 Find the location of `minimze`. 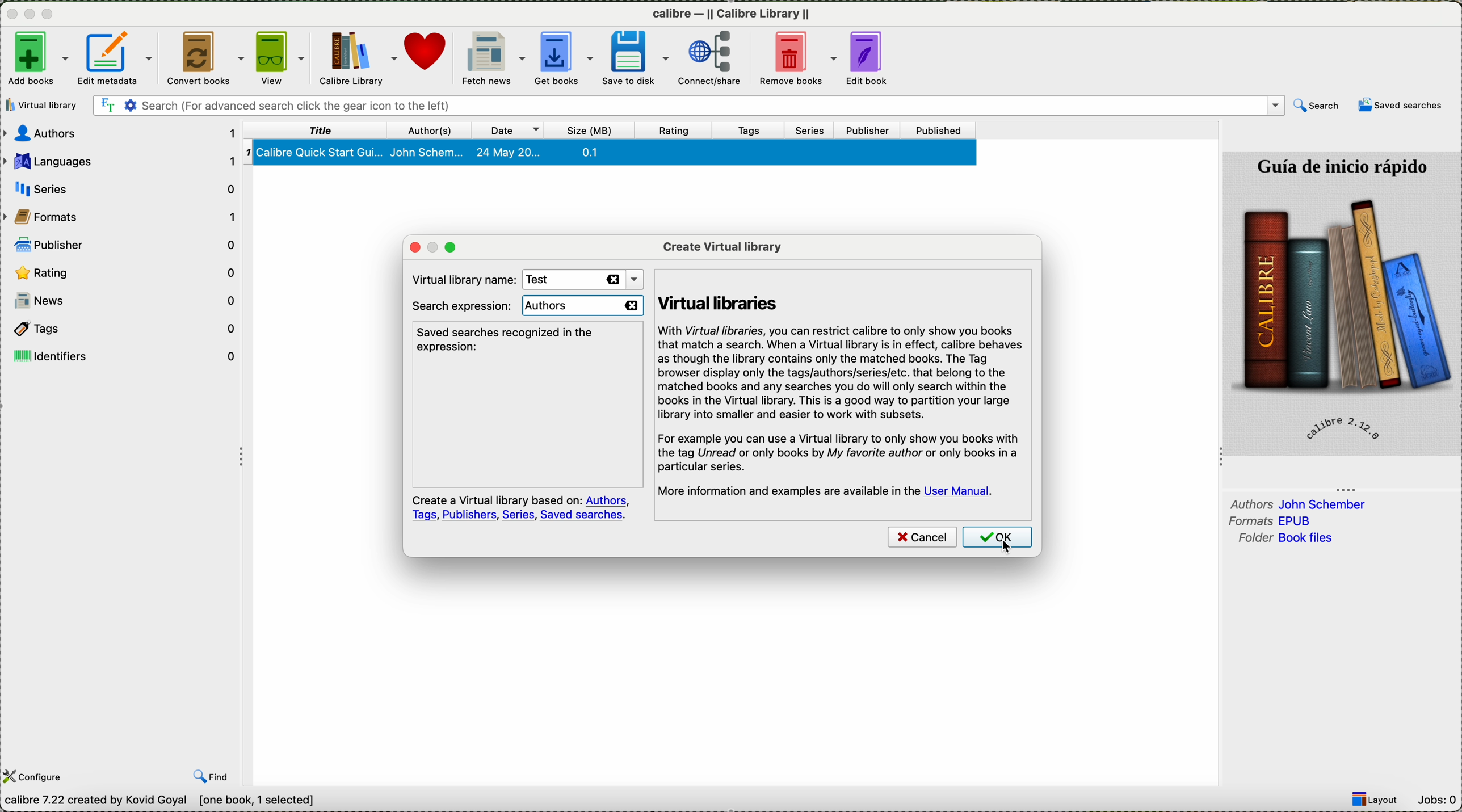

minimze is located at coordinates (431, 247).